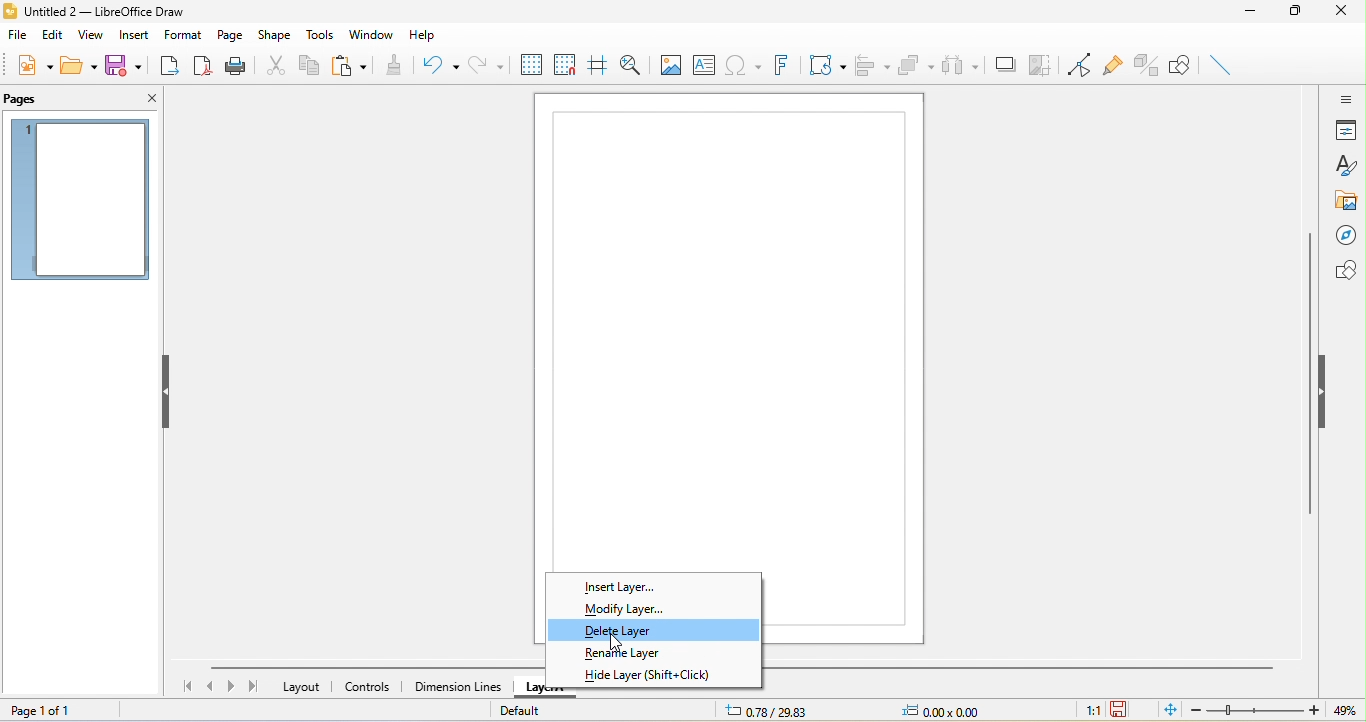 The image size is (1366, 722). I want to click on print, so click(235, 64).